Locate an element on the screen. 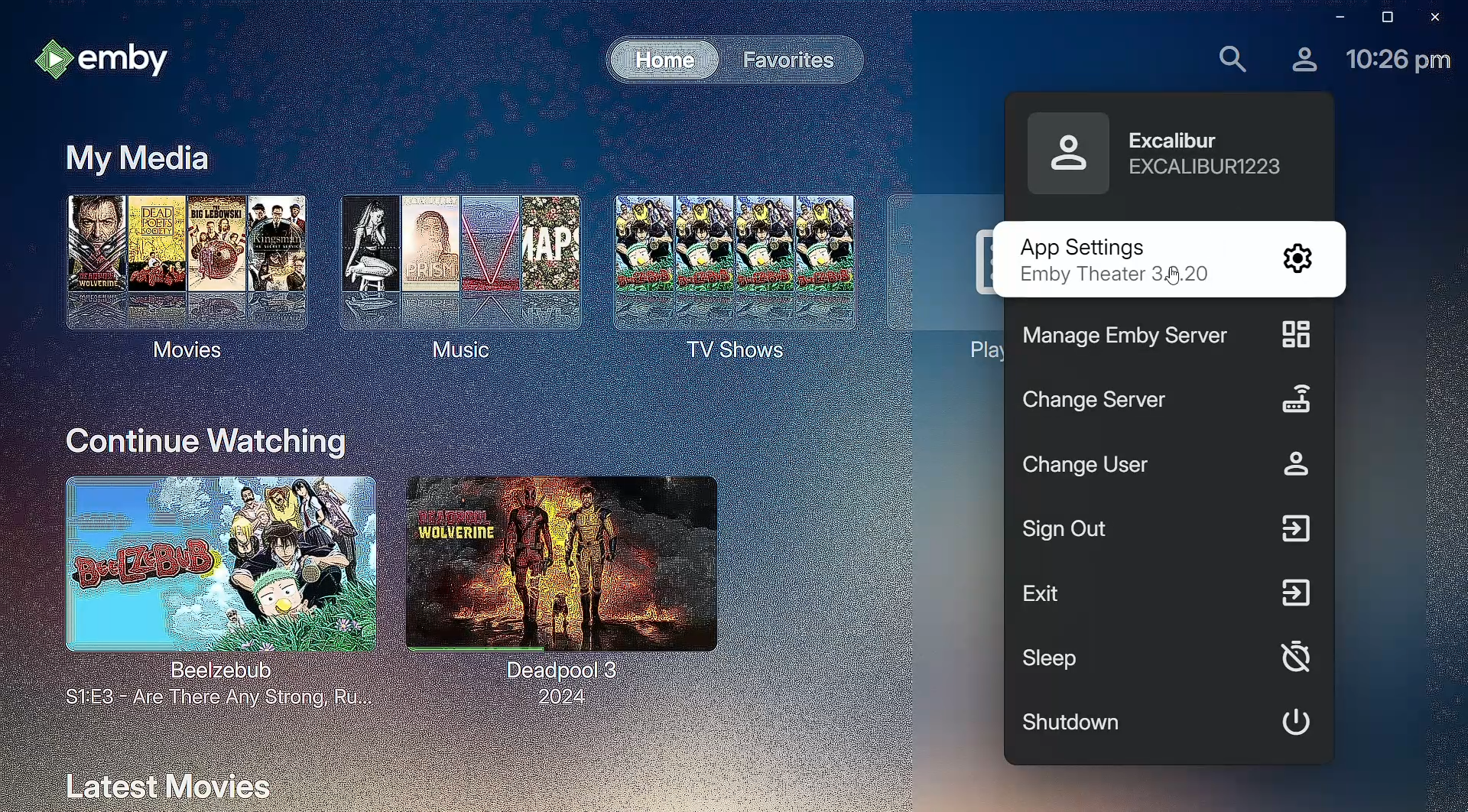 This screenshot has height=812, width=1468. Change Server is located at coordinates (1168, 402).